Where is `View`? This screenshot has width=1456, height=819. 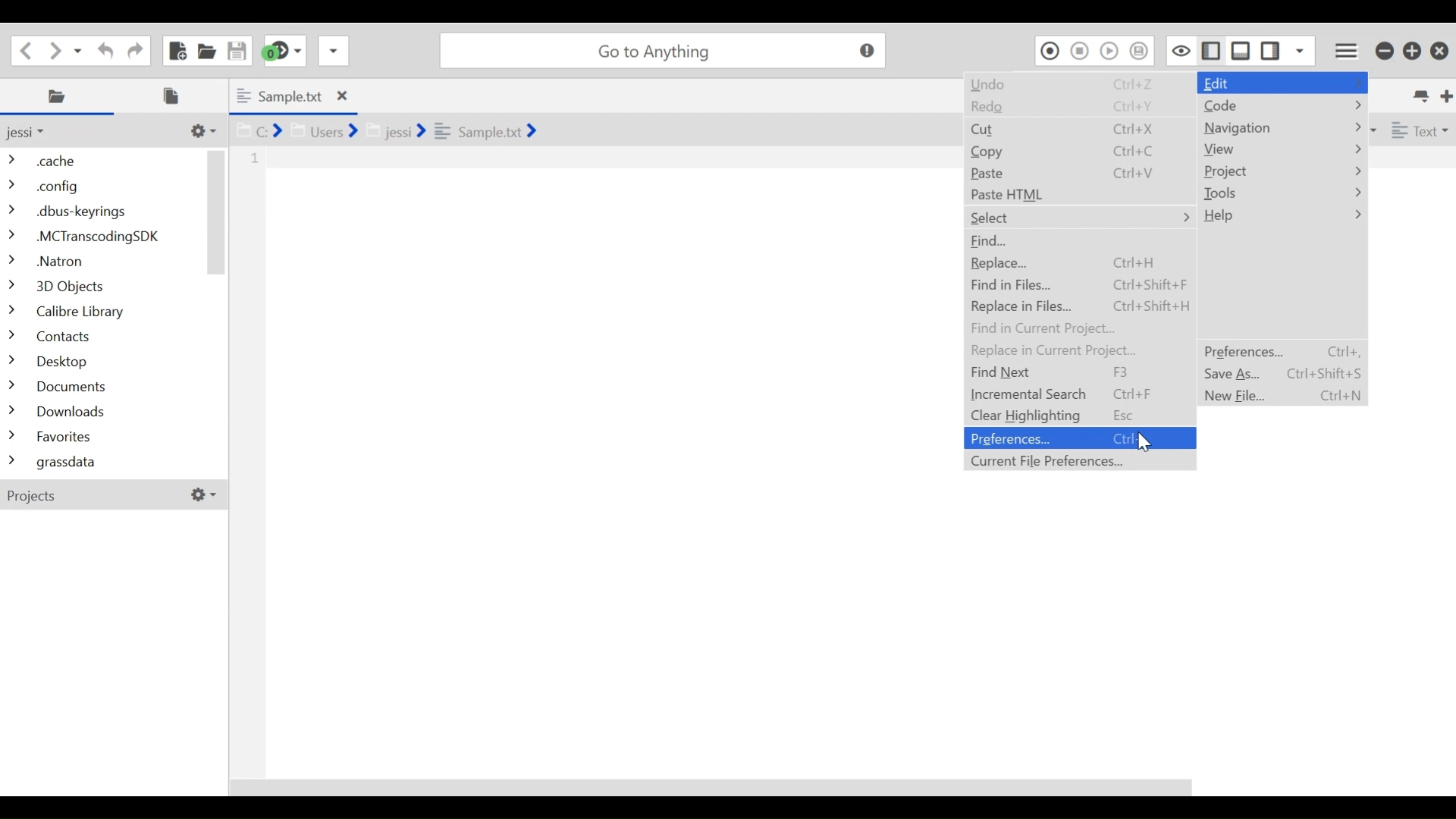 View is located at coordinates (1282, 149).